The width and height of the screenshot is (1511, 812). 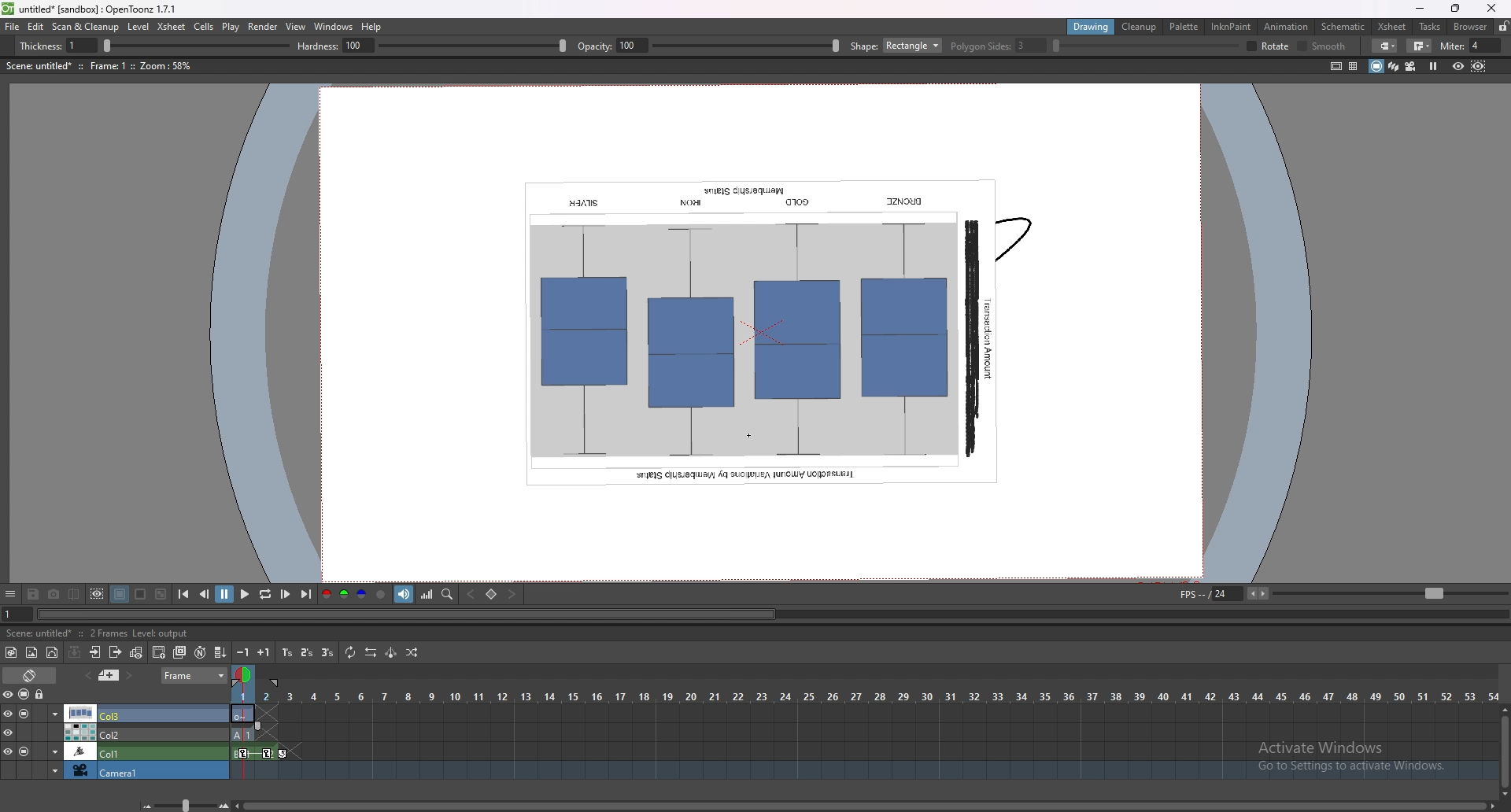 What do you see at coordinates (289, 652) in the screenshot?
I see `reframe on 1s` at bounding box center [289, 652].